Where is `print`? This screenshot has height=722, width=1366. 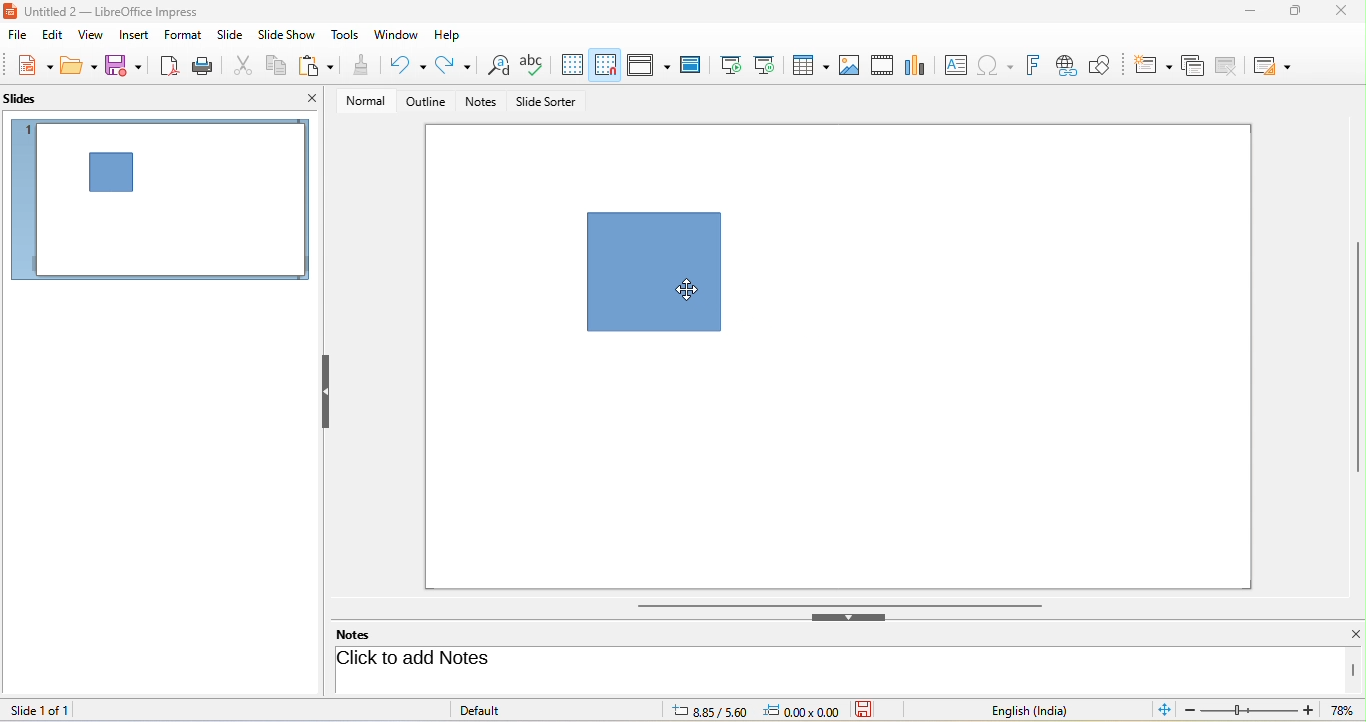
print is located at coordinates (206, 65).